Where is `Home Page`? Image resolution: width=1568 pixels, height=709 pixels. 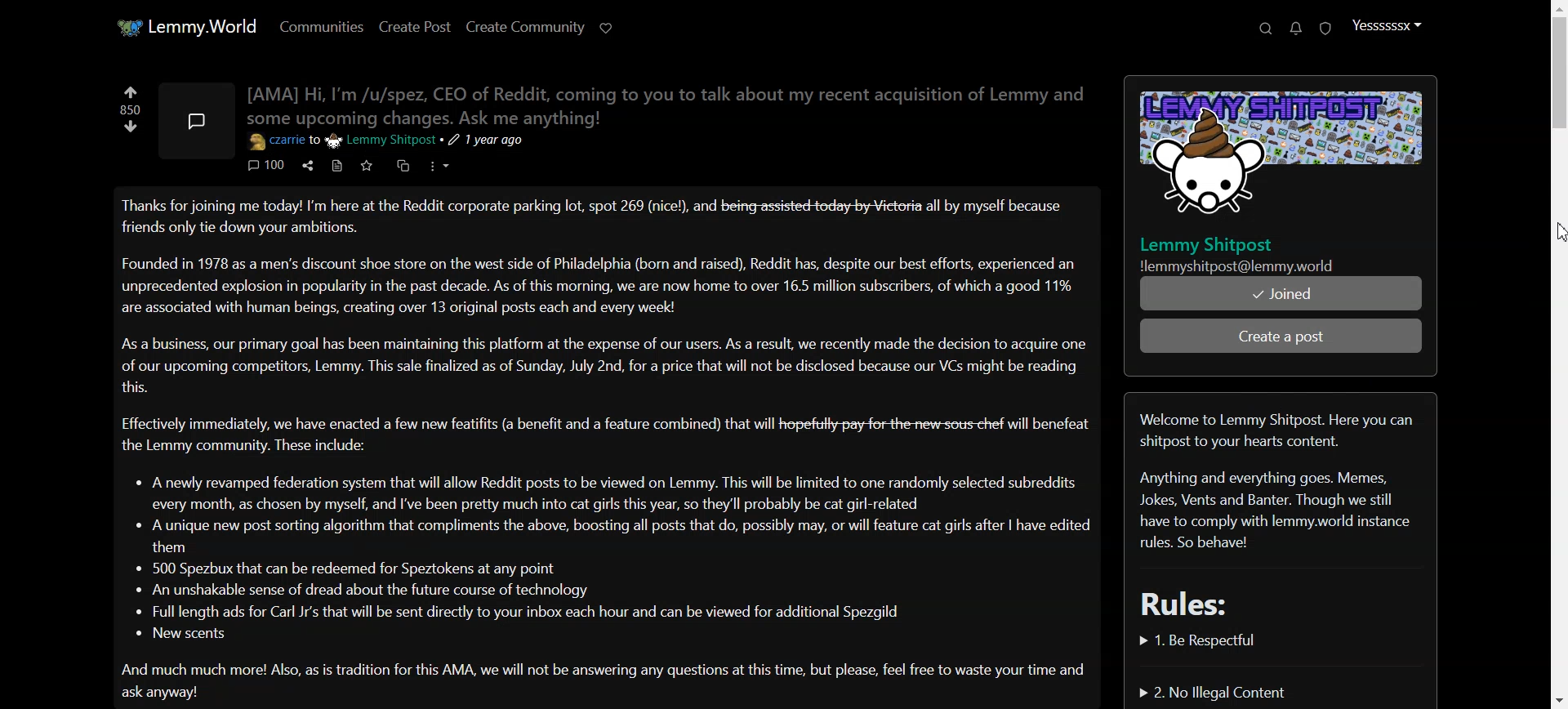 Home Page is located at coordinates (184, 27).